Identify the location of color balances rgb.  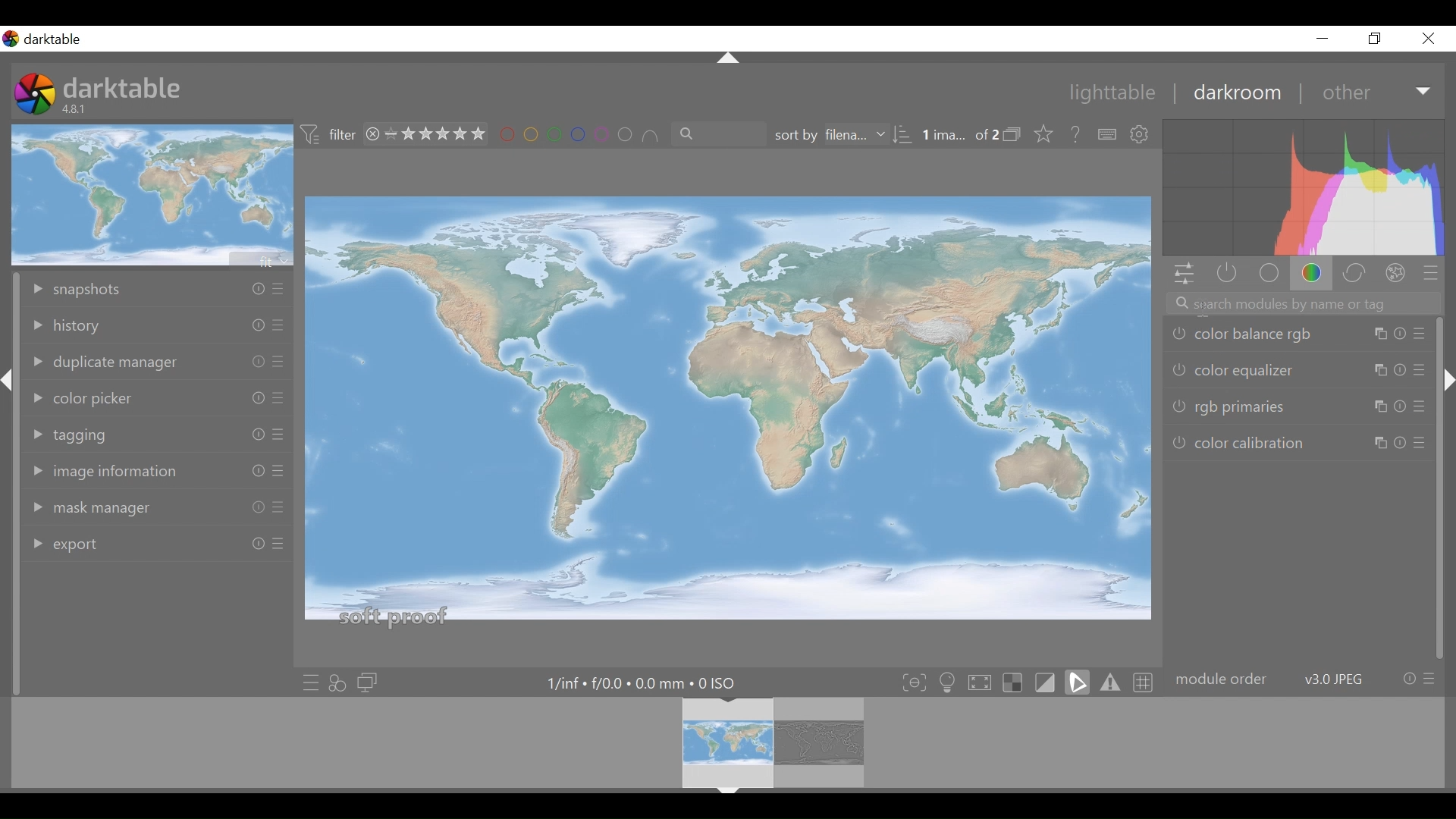
(1296, 336).